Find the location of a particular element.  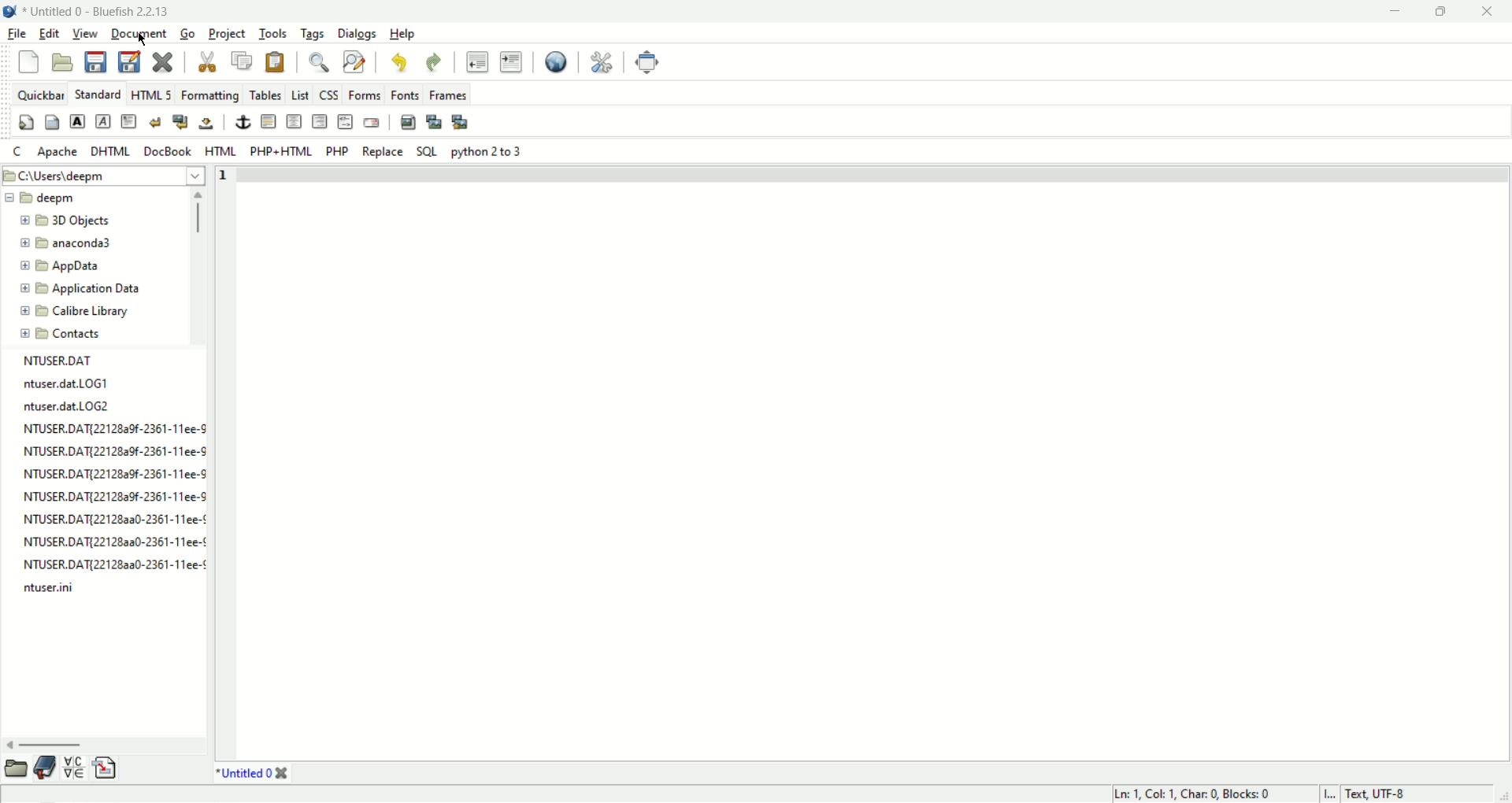

close is located at coordinates (164, 61).